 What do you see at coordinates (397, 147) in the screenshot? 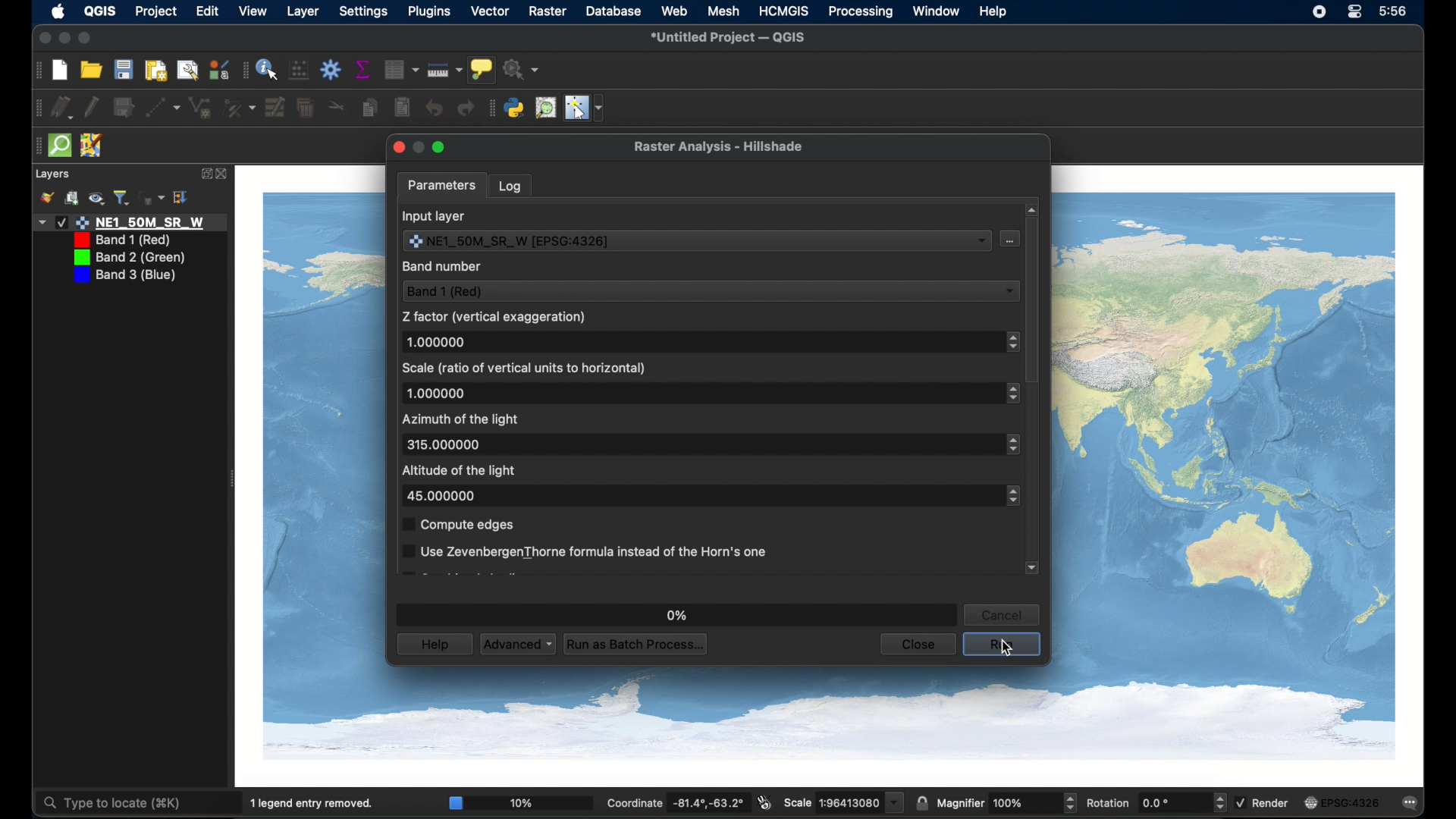
I see `close` at bounding box center [397, 147].